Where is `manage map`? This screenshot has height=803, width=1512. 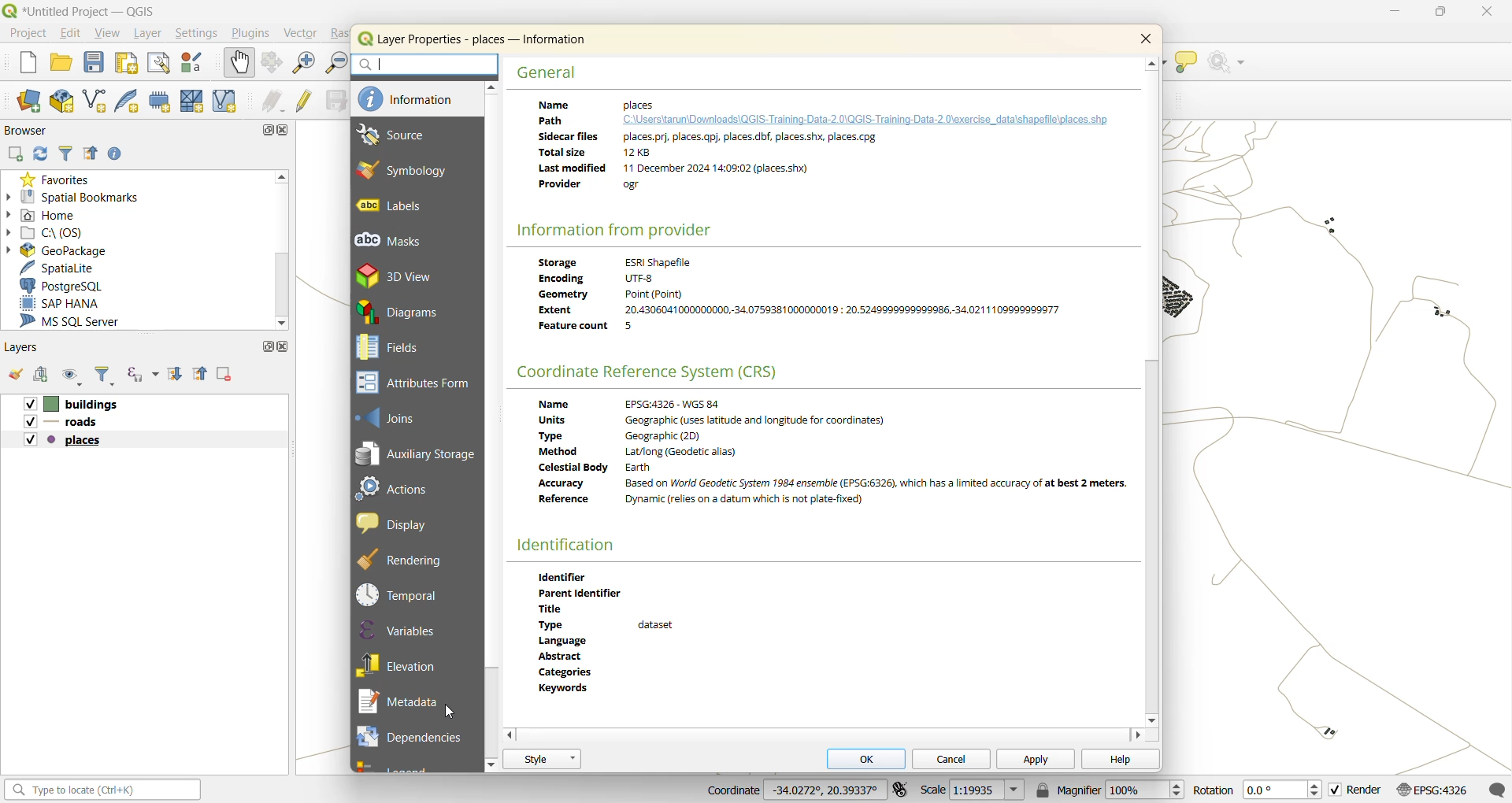
manage map is located at coordinates (76, 376).